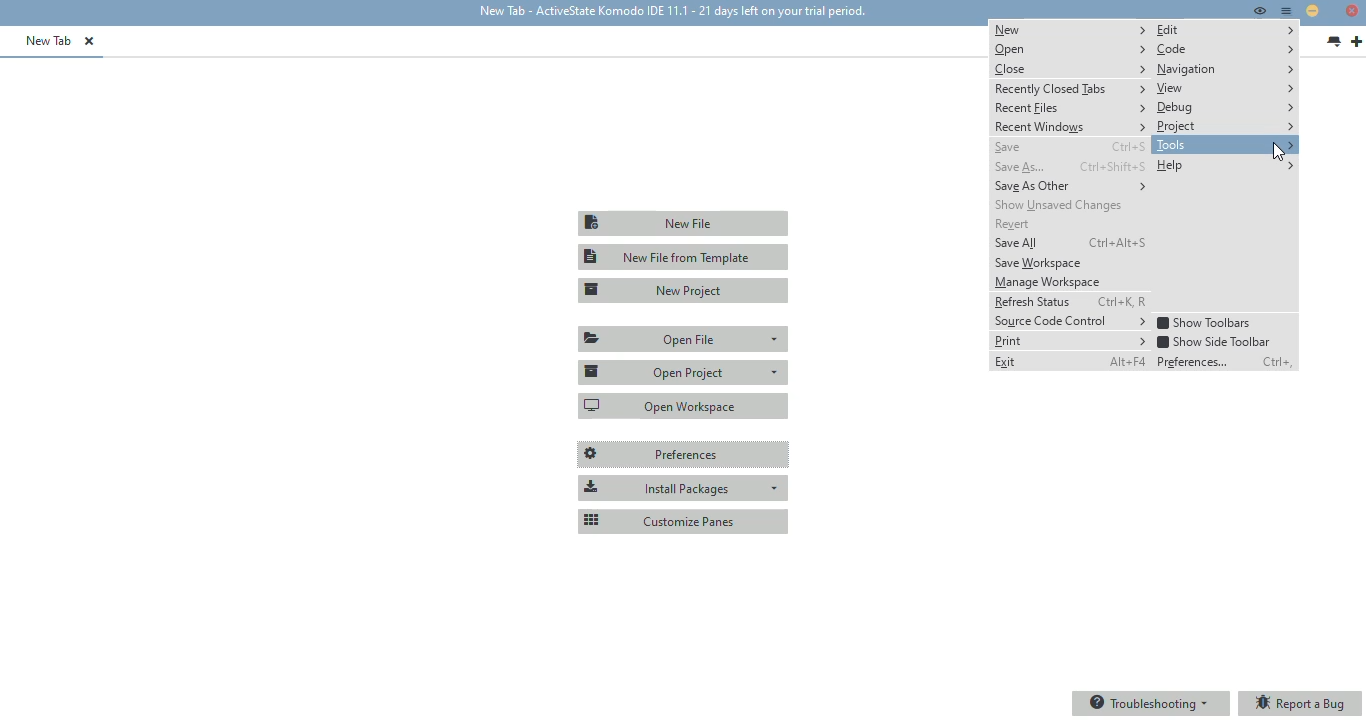  I want to click on navigation, so click(1226, 69).